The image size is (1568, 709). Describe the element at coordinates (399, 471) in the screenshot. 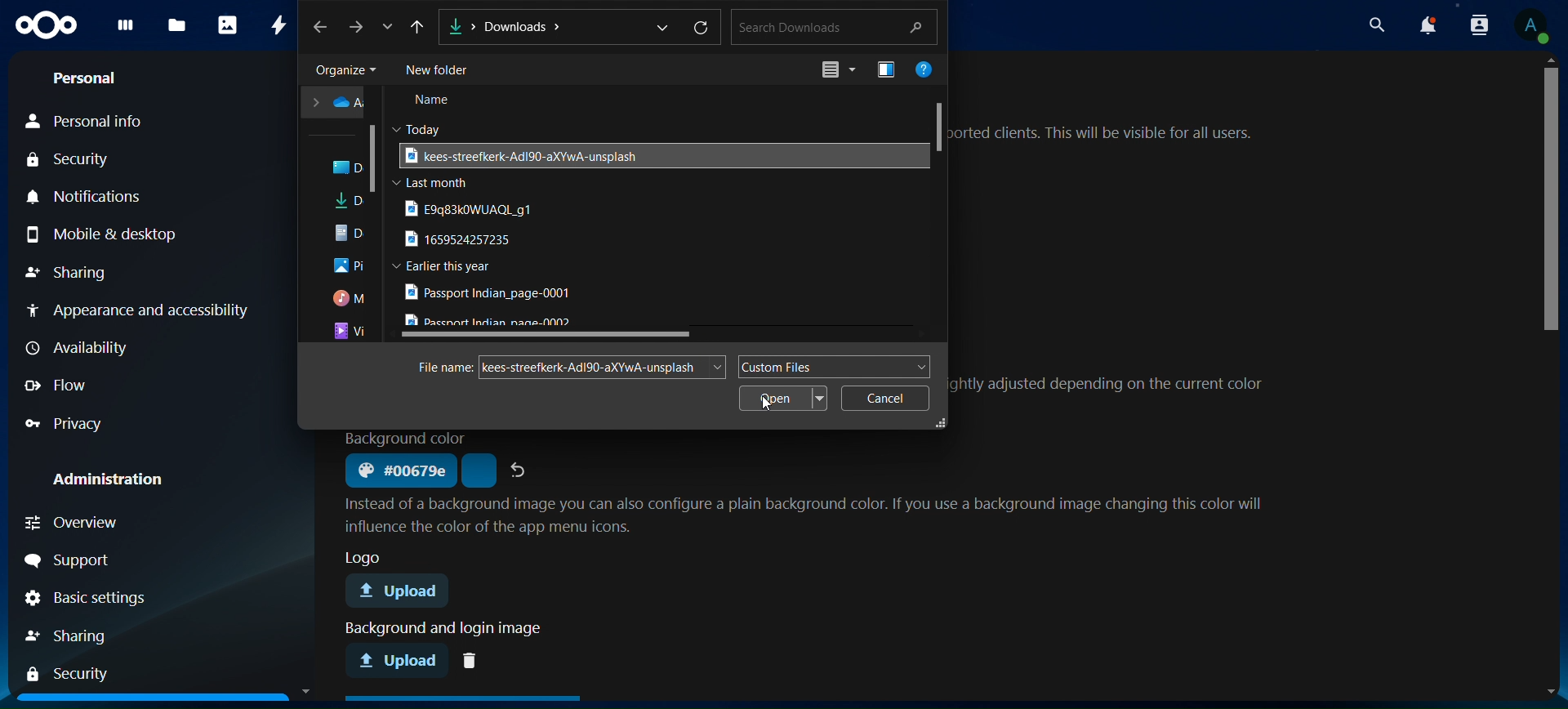

I see `background color` at that location.